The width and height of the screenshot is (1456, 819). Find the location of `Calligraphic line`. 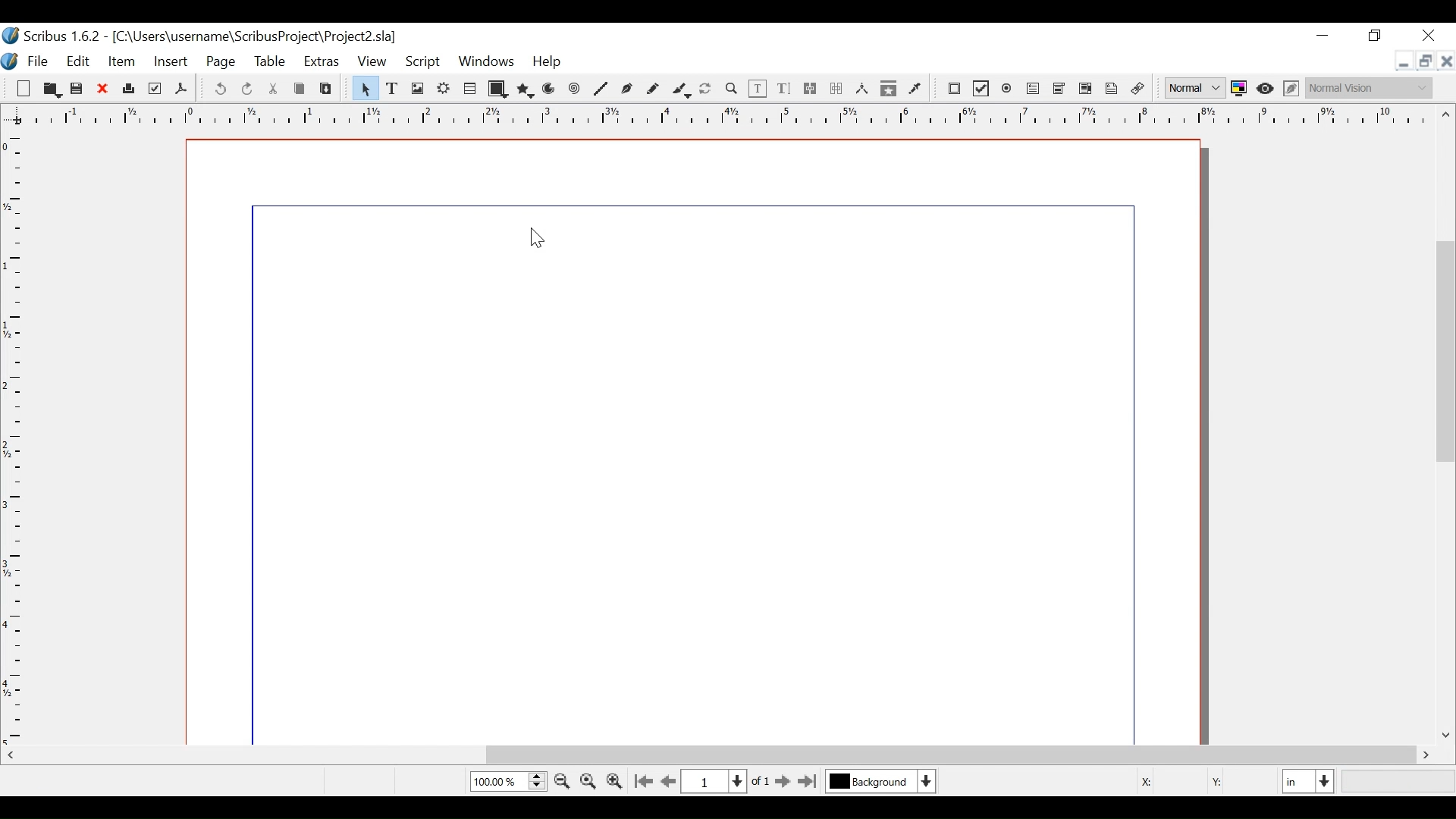

Calligraphic line is located at coordinates (680, 90).